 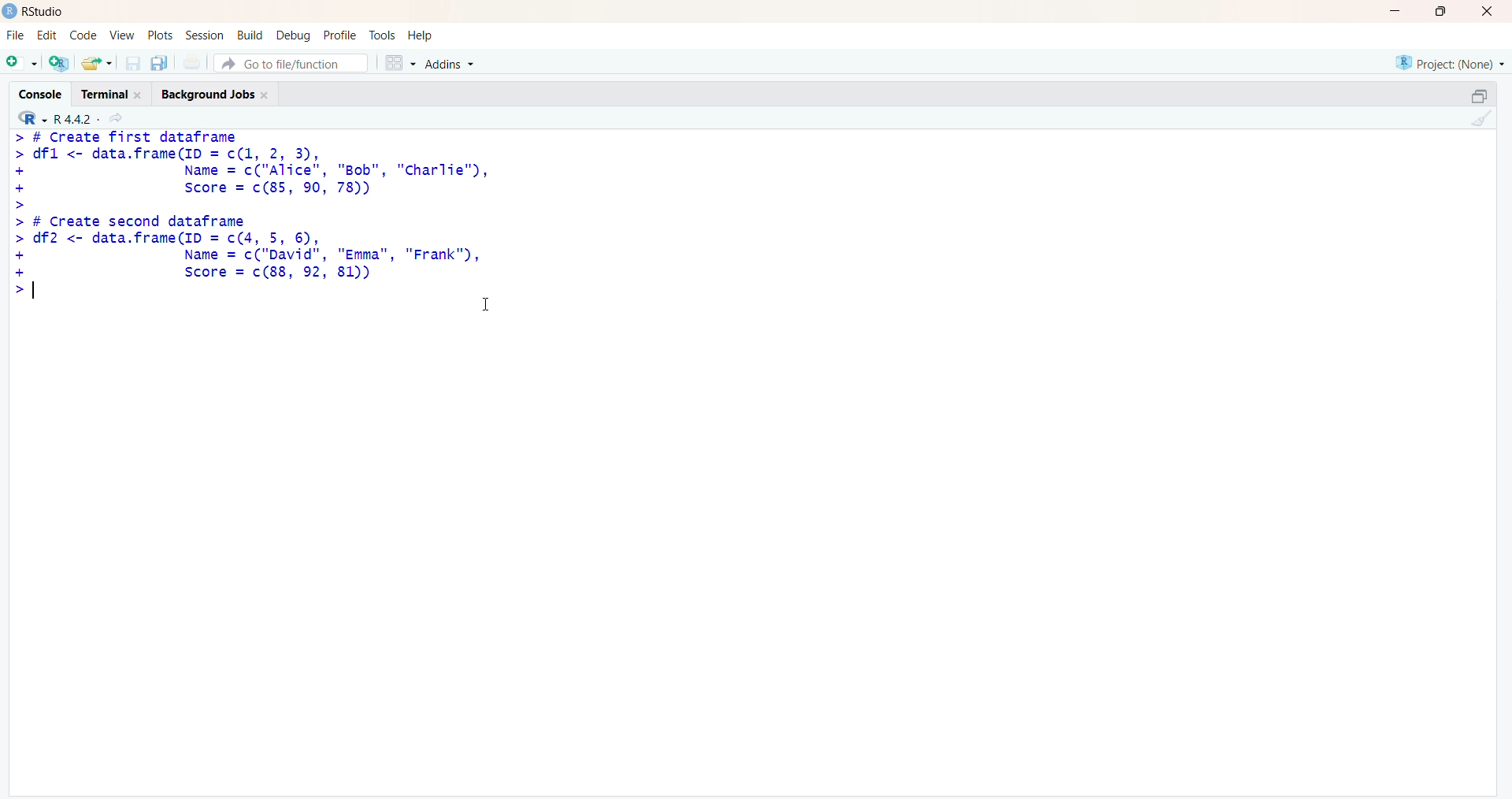 What do you see at coordinates (119, 35) in the screenshot?
I see `View` at bounding box center [119, 35].